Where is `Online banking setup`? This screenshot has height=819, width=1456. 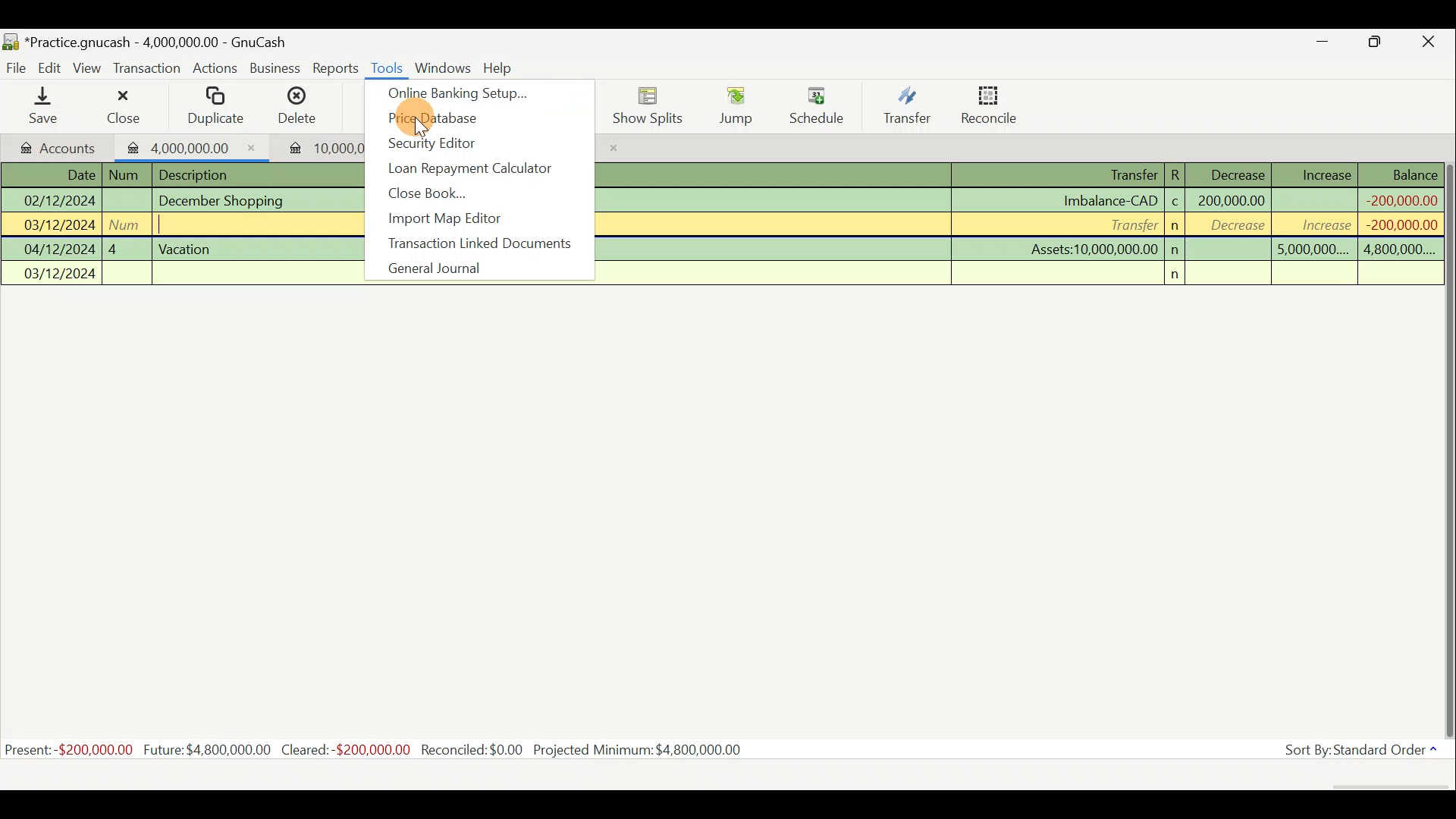 Online banking setup is located at coordinates (461, 93).